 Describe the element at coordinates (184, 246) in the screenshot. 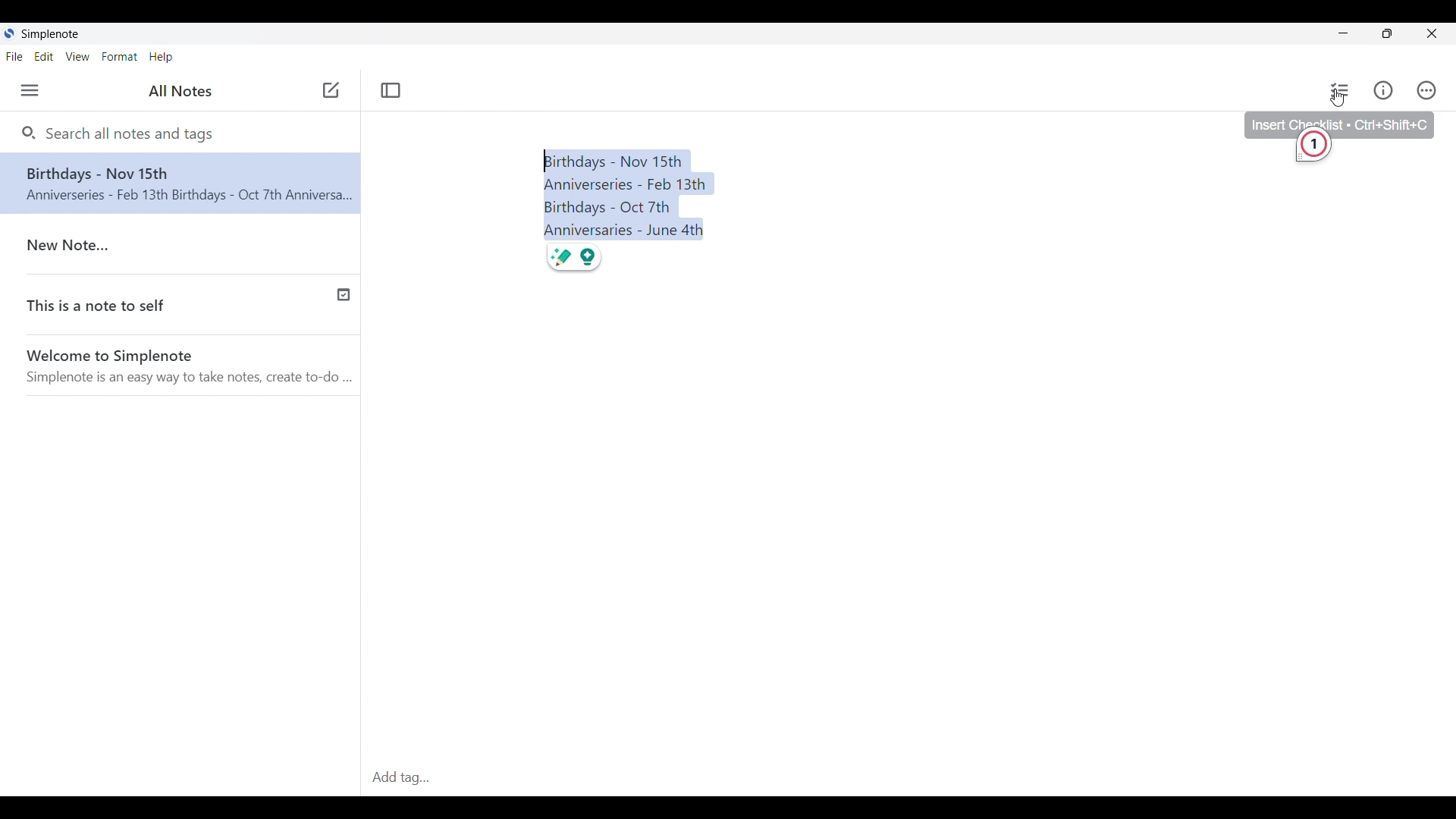

I see `New Note..(Older note)` at that location.